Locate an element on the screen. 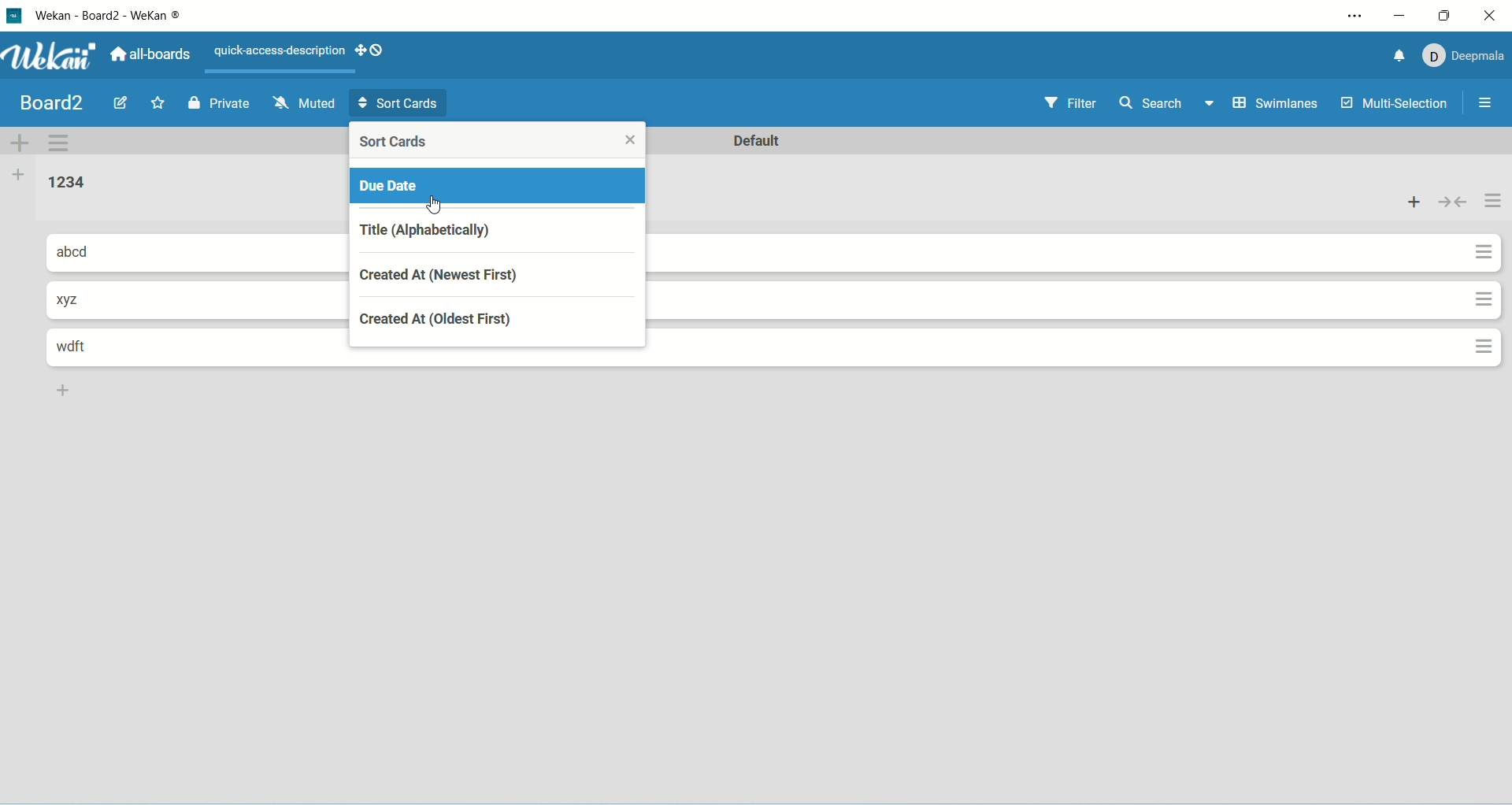 This screenshot has height=805, width=1512. add list is located at coordinates (67, 393).